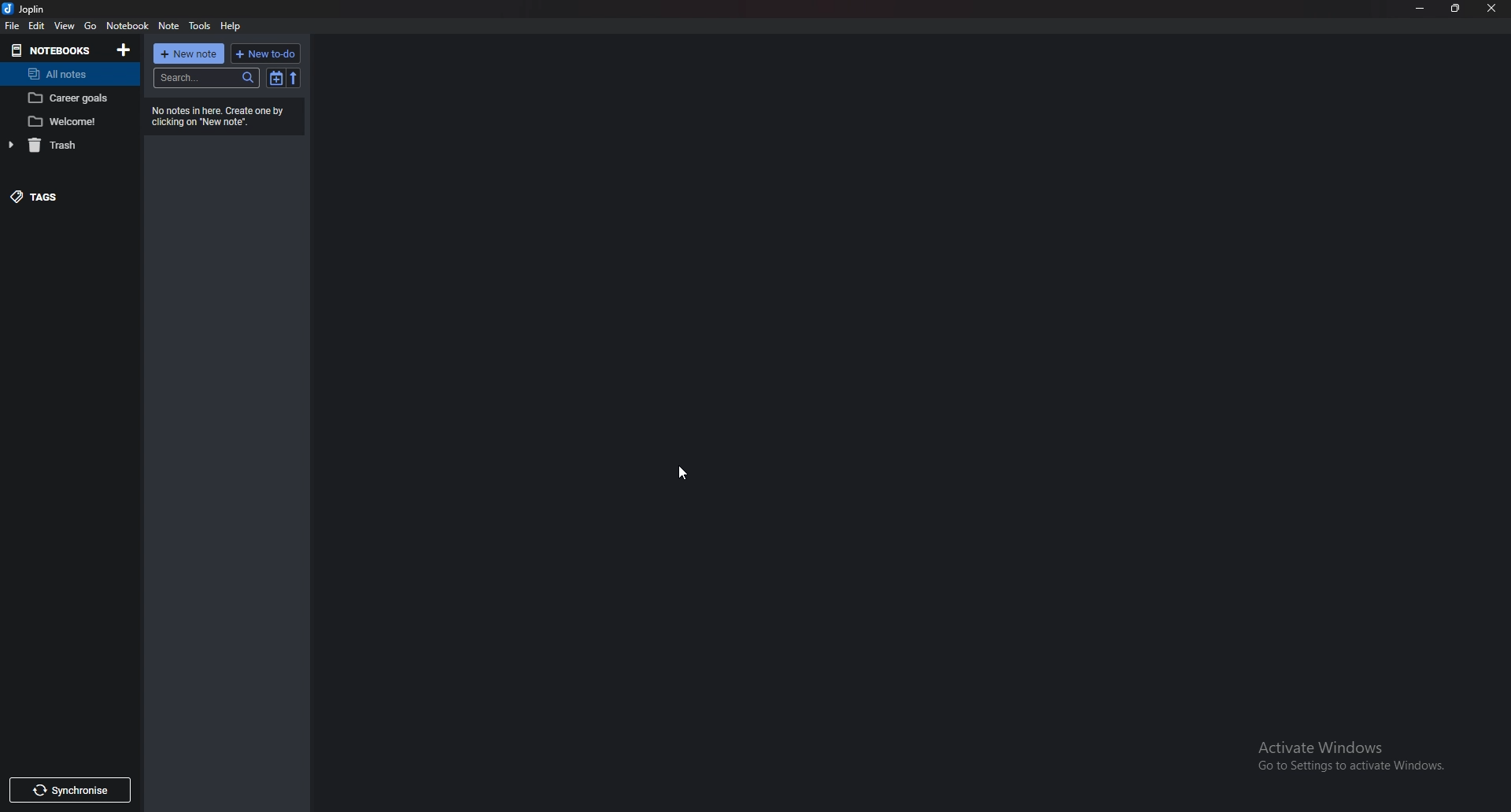 The image size is (1511, 812). I want to click on edit, so click(37, 26).